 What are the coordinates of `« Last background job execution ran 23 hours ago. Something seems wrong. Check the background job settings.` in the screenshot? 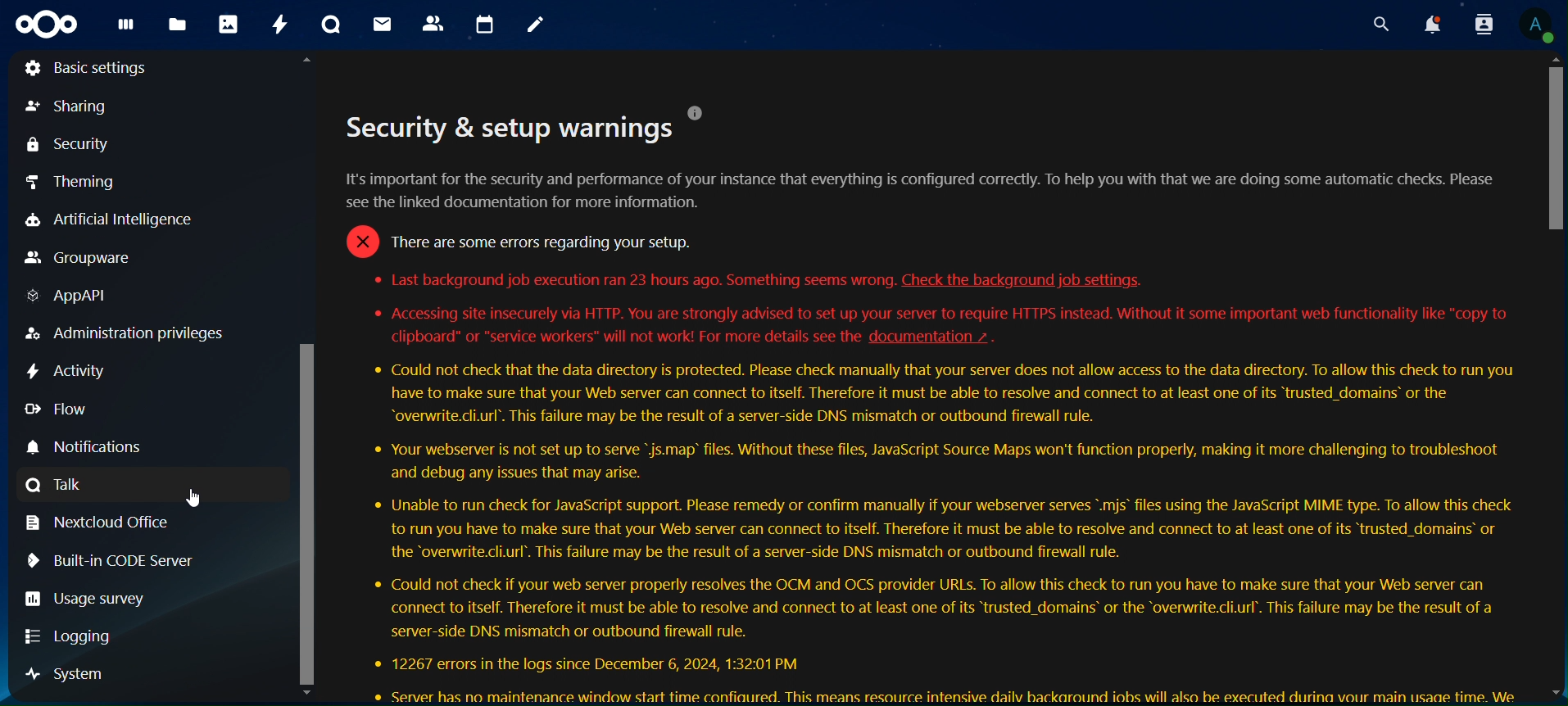 It's located at (761, 280).